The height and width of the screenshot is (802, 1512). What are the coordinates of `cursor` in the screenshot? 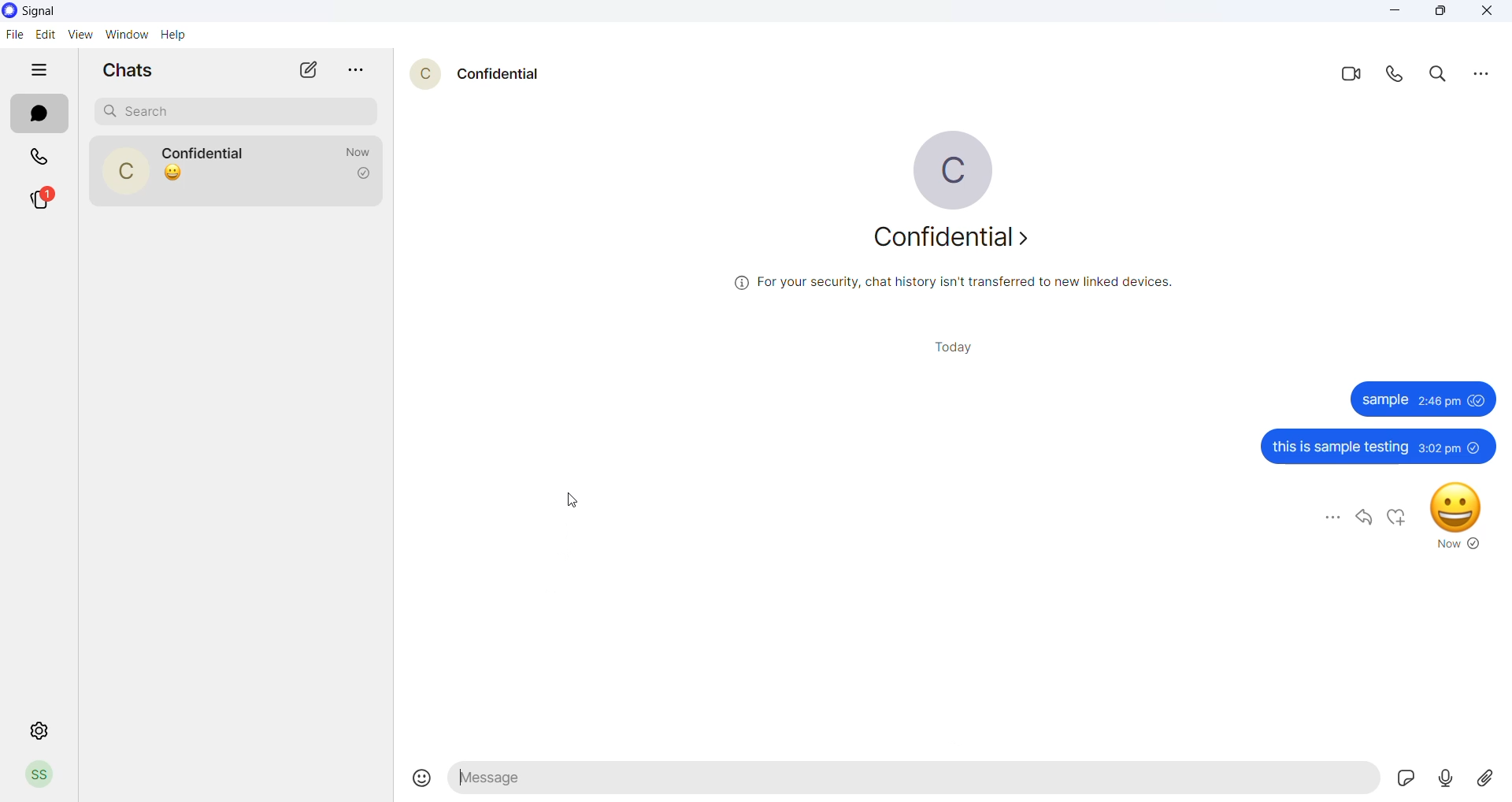 It's located at (576, 499).